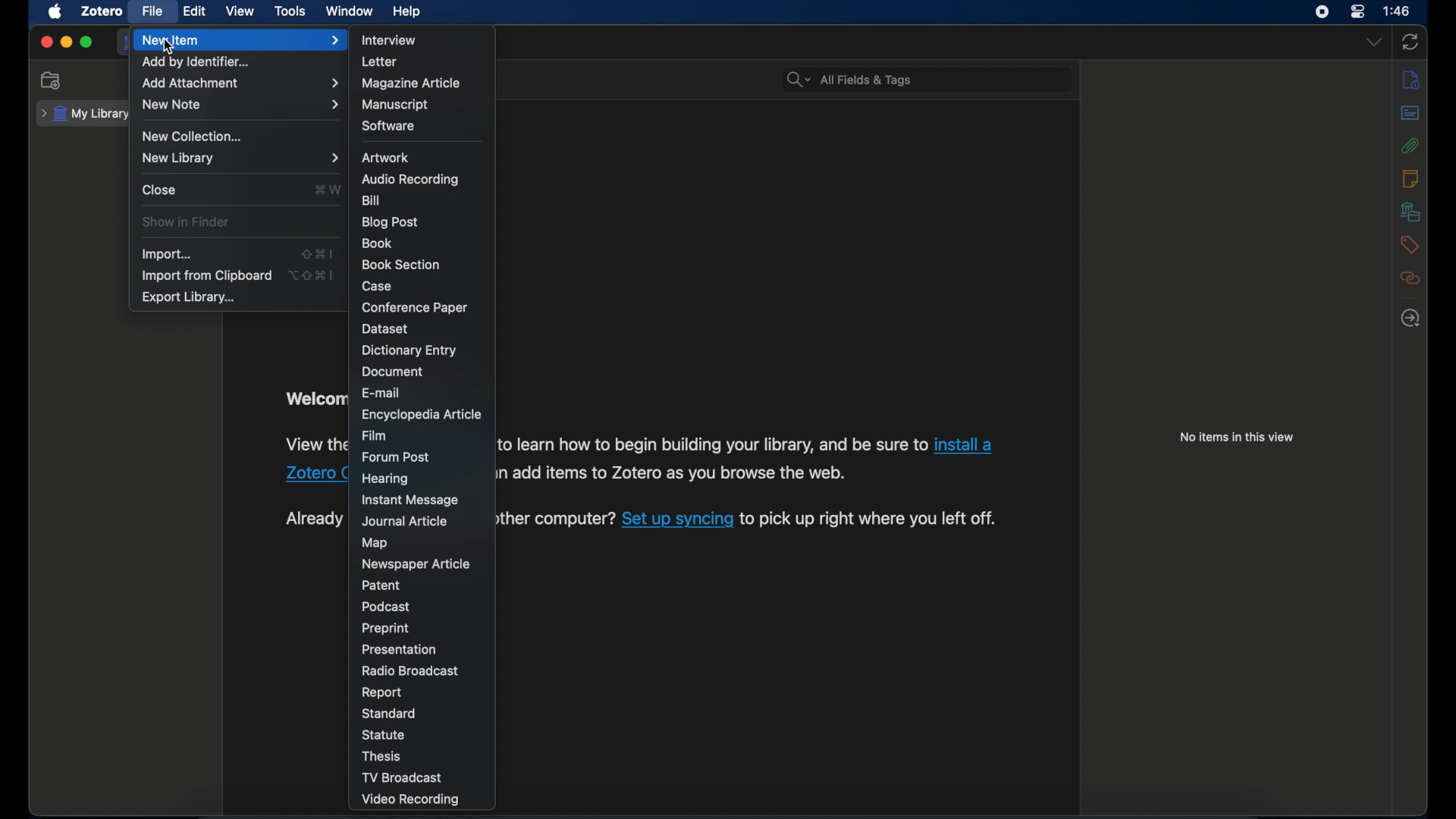  Describe the element at coordinates (710, 444) in the screenshot. I see `to learn how to begin building your library, and be sure to` at that location.